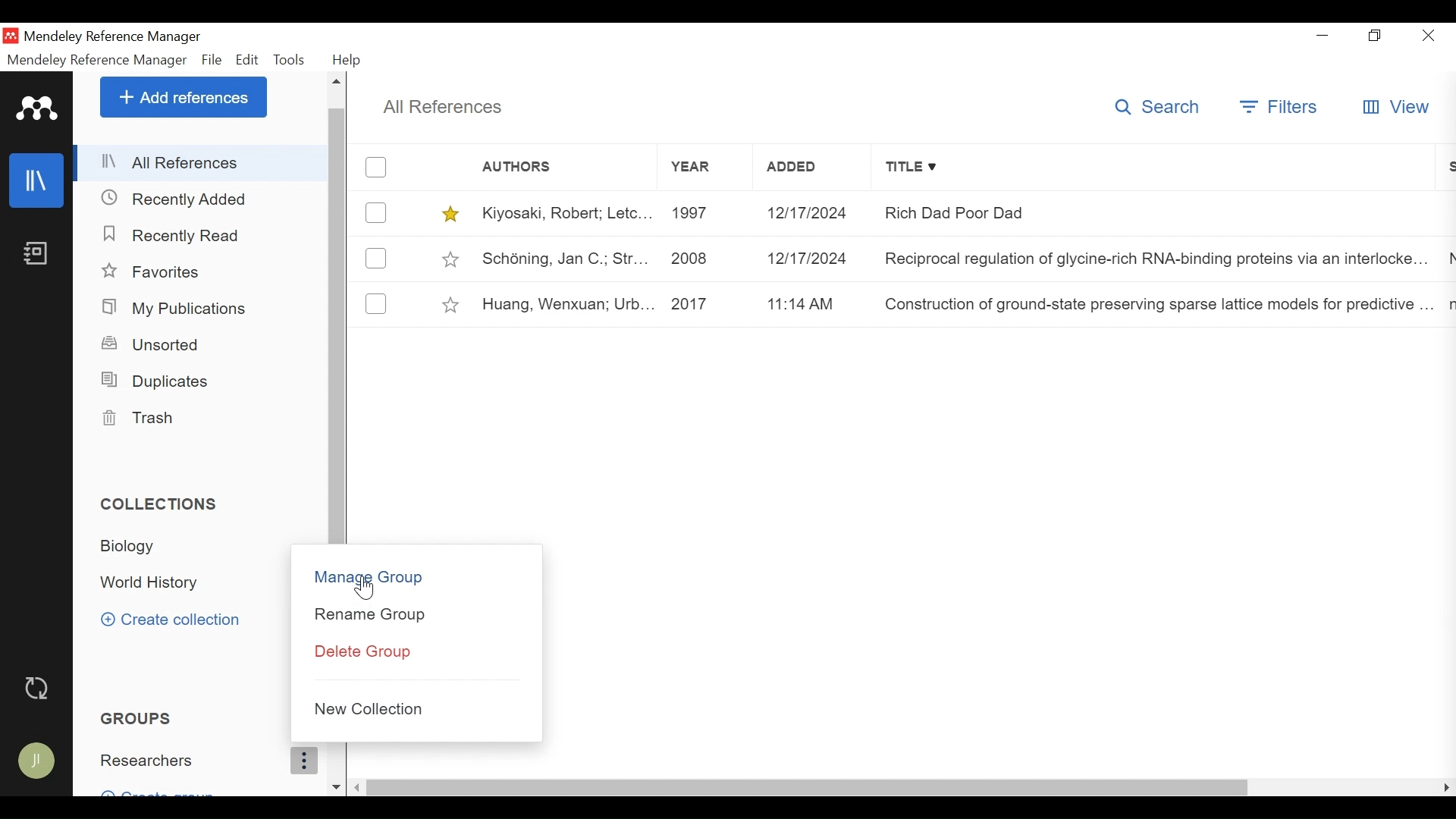  I want to click on Rename Group, so click(417, 616).